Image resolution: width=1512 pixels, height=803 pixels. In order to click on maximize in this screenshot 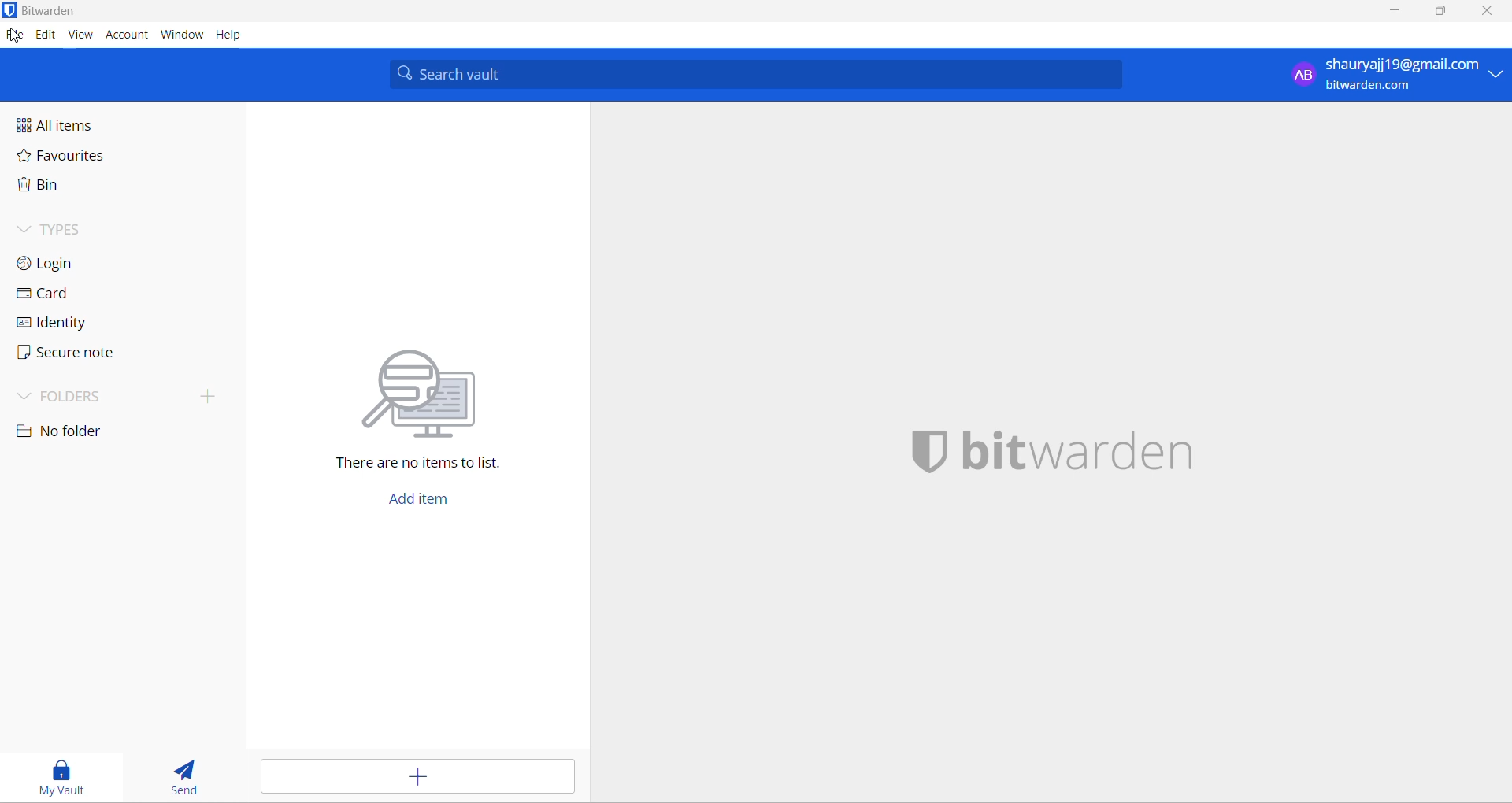, I will do `click(1440, 13)`.